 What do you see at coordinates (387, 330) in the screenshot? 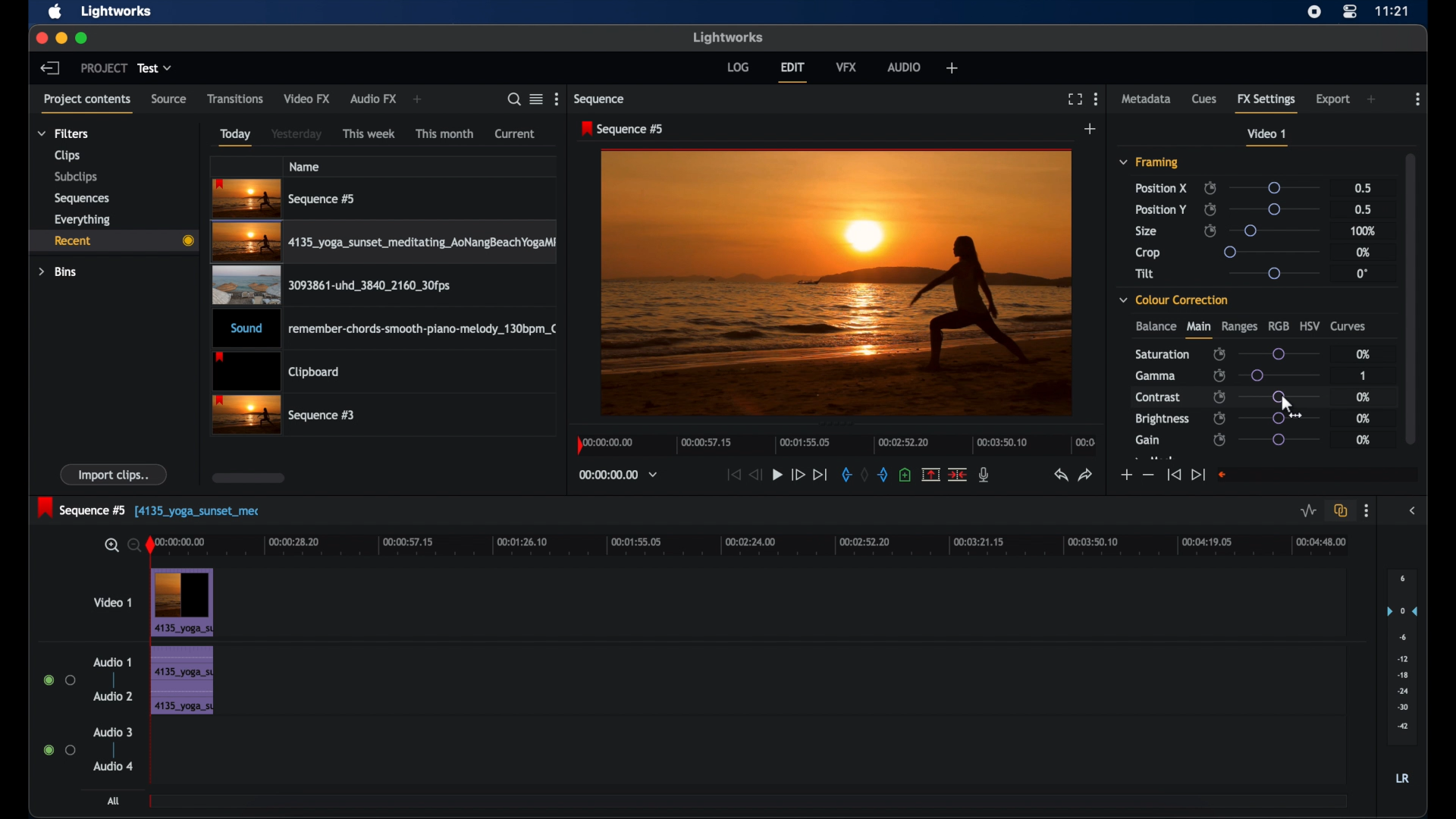
I see `audio clip` at bounding box center [387, 330].